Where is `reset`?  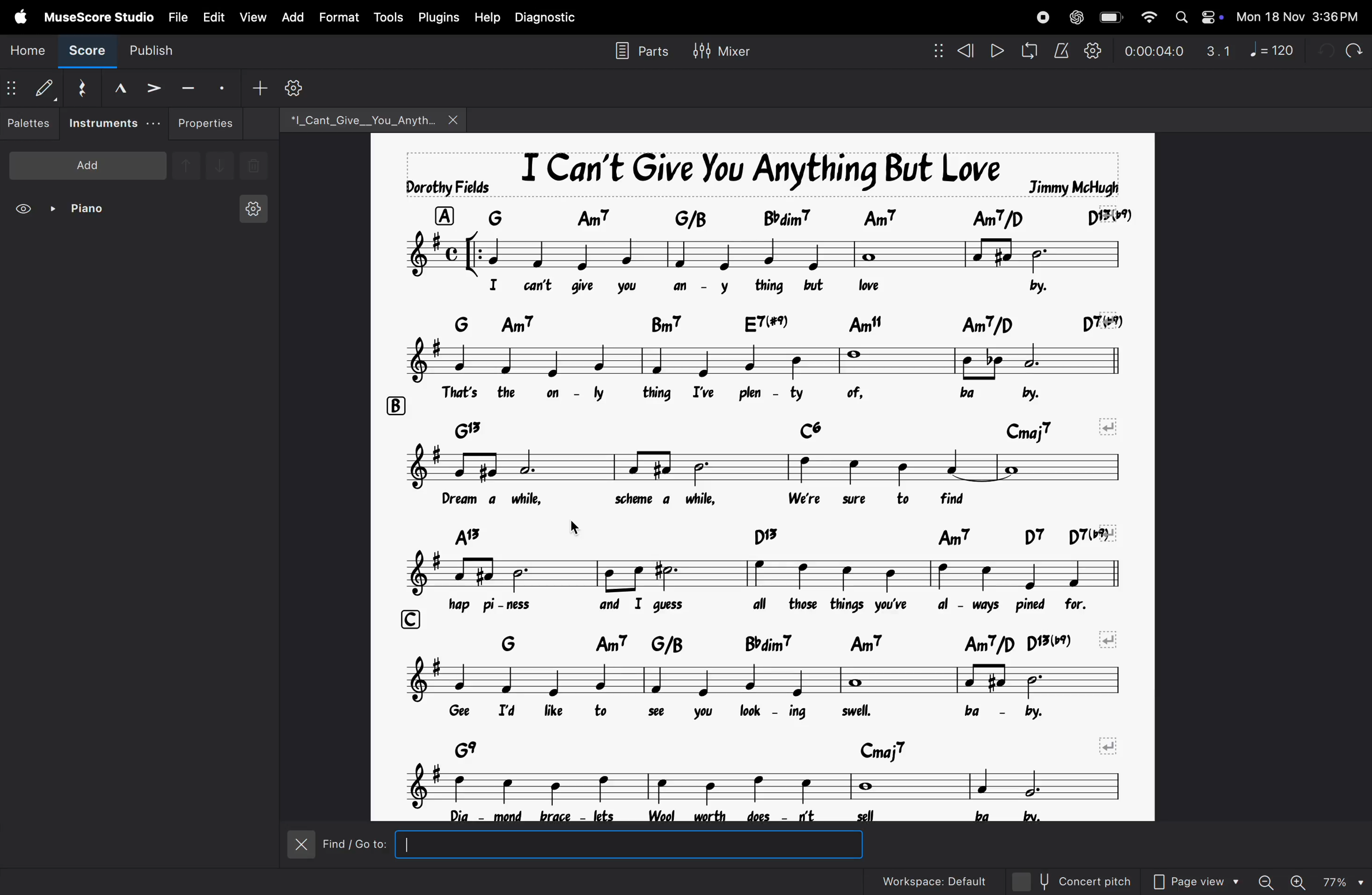
reset is located at coordinates (84, 88).